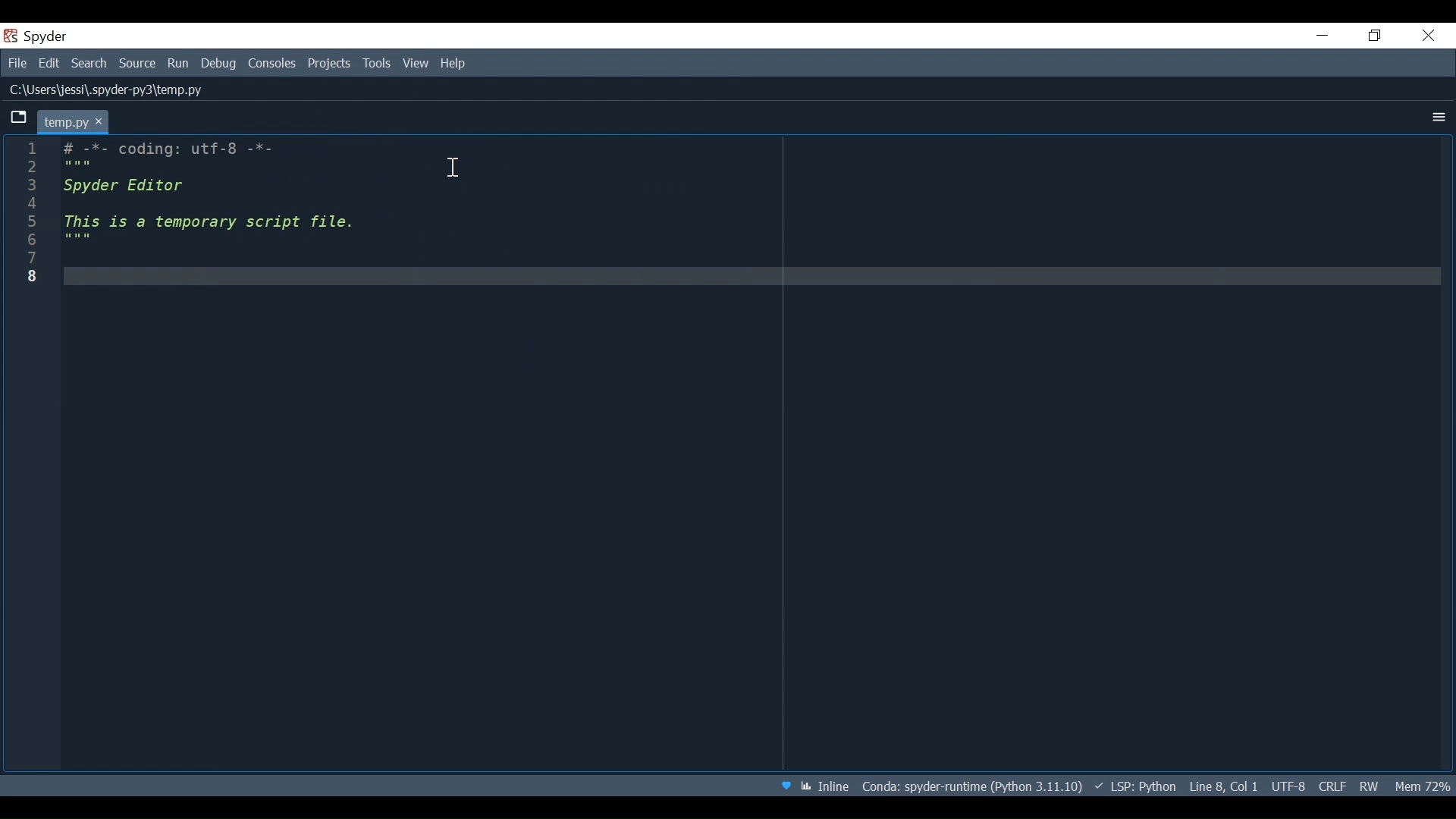  I want to click on # -%- coding: utT-o -*-
Spyder Editor
This is a temporary script file., so click(736, 448).